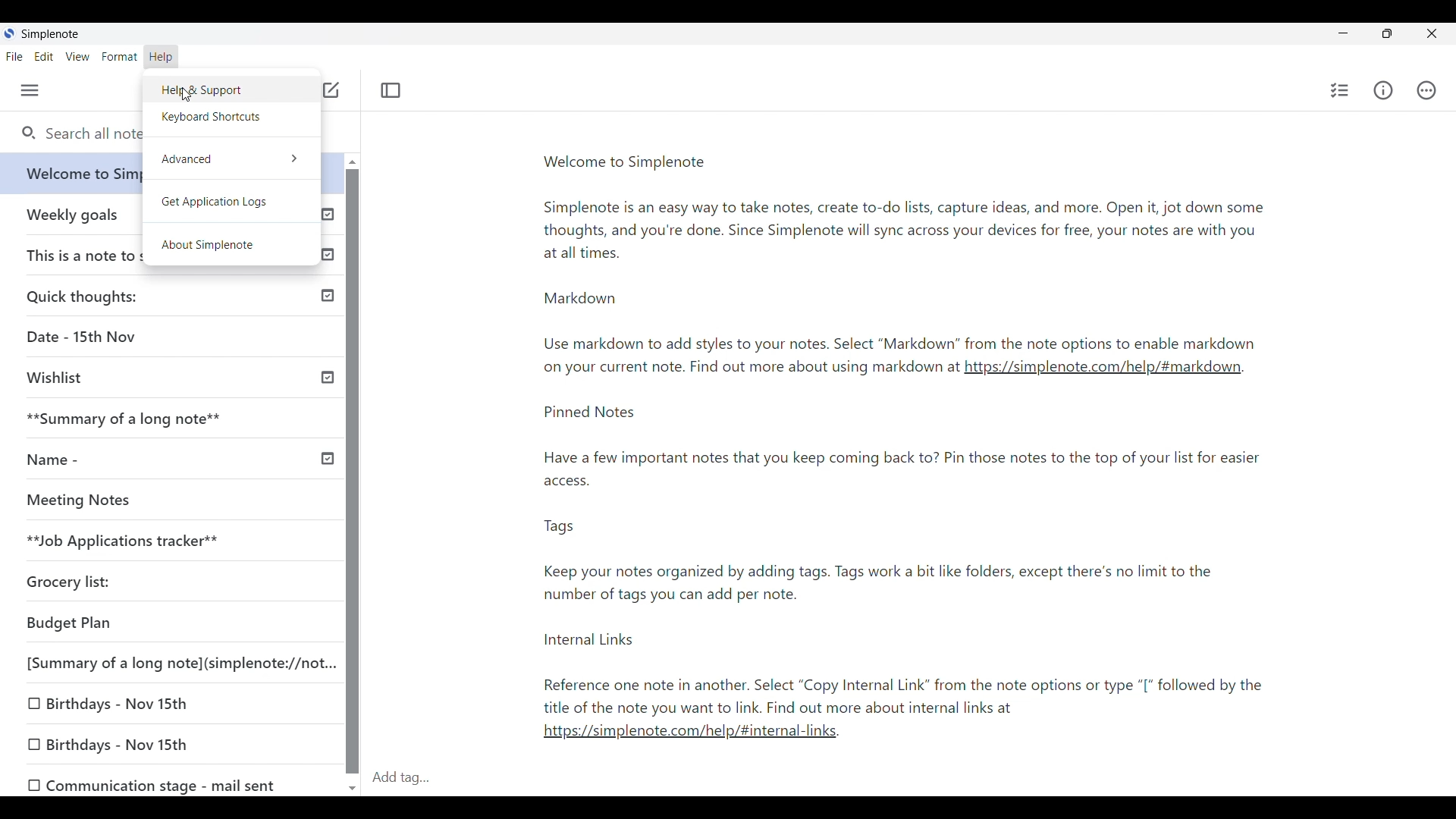 This screenshot has height=819, width=1456. Describe the element at coordinates (629, 158) in the screenshot. I see `Welcome to Simplenote` at that location.